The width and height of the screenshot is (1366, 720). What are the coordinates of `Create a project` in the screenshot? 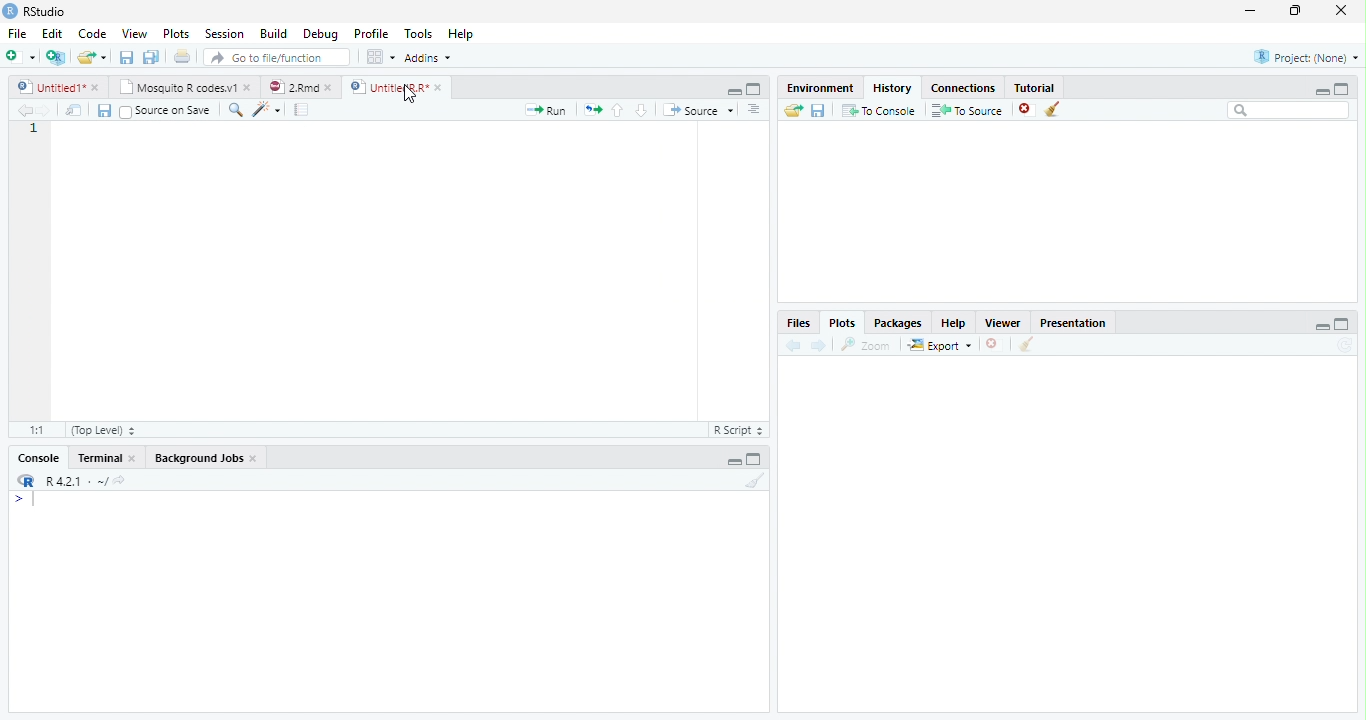 It's located at (57, 56).